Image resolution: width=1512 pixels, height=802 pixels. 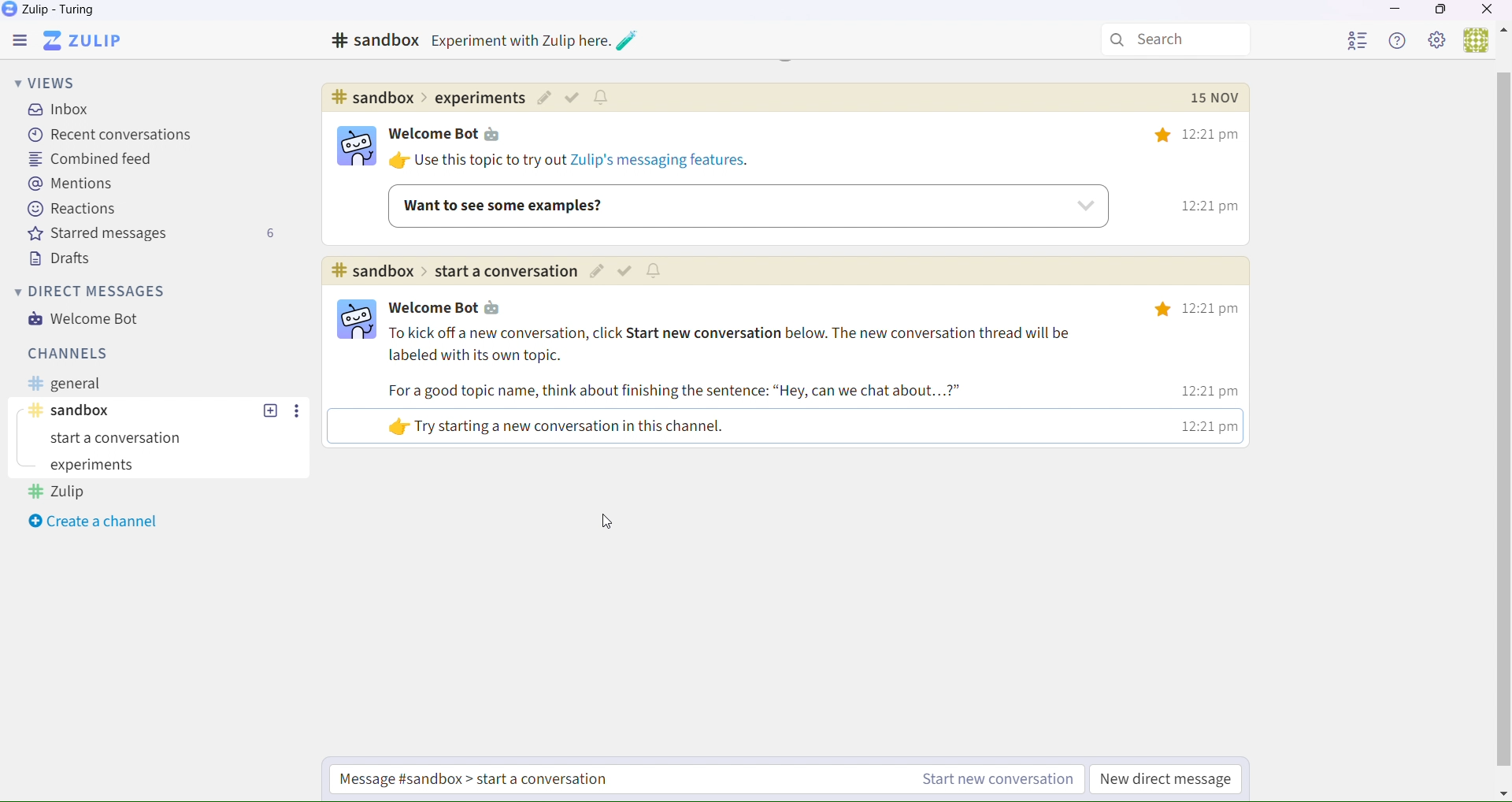 What do you see at coordinates (1503, 32) in the screenshot?
I see `` at bounding box center [1503, 32].